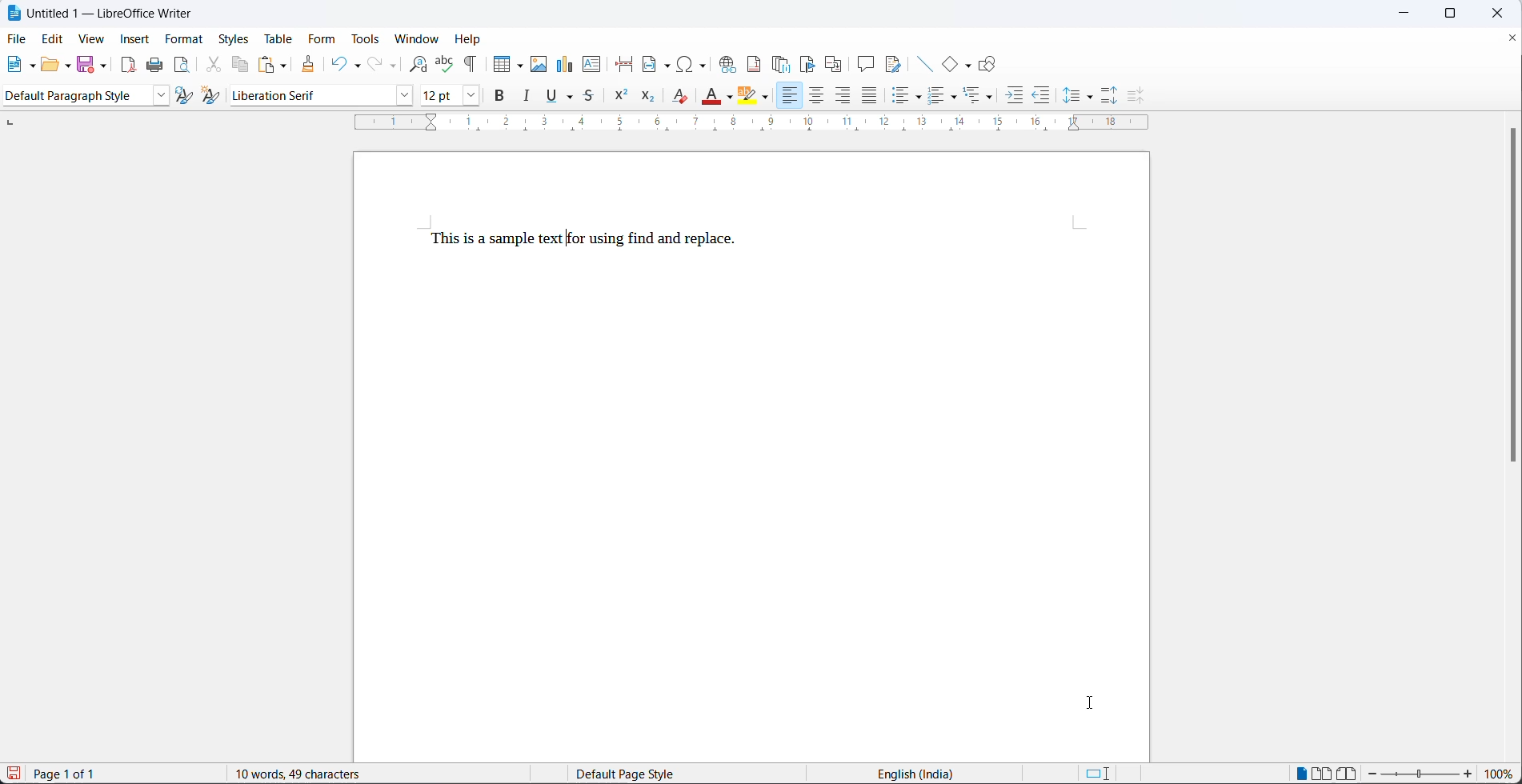 The height and width of the screenshot is (784, 1522). What do you see at coordinates (540, 58) in the screenshot?
I see `insert images` at bounding box center [540, 58].